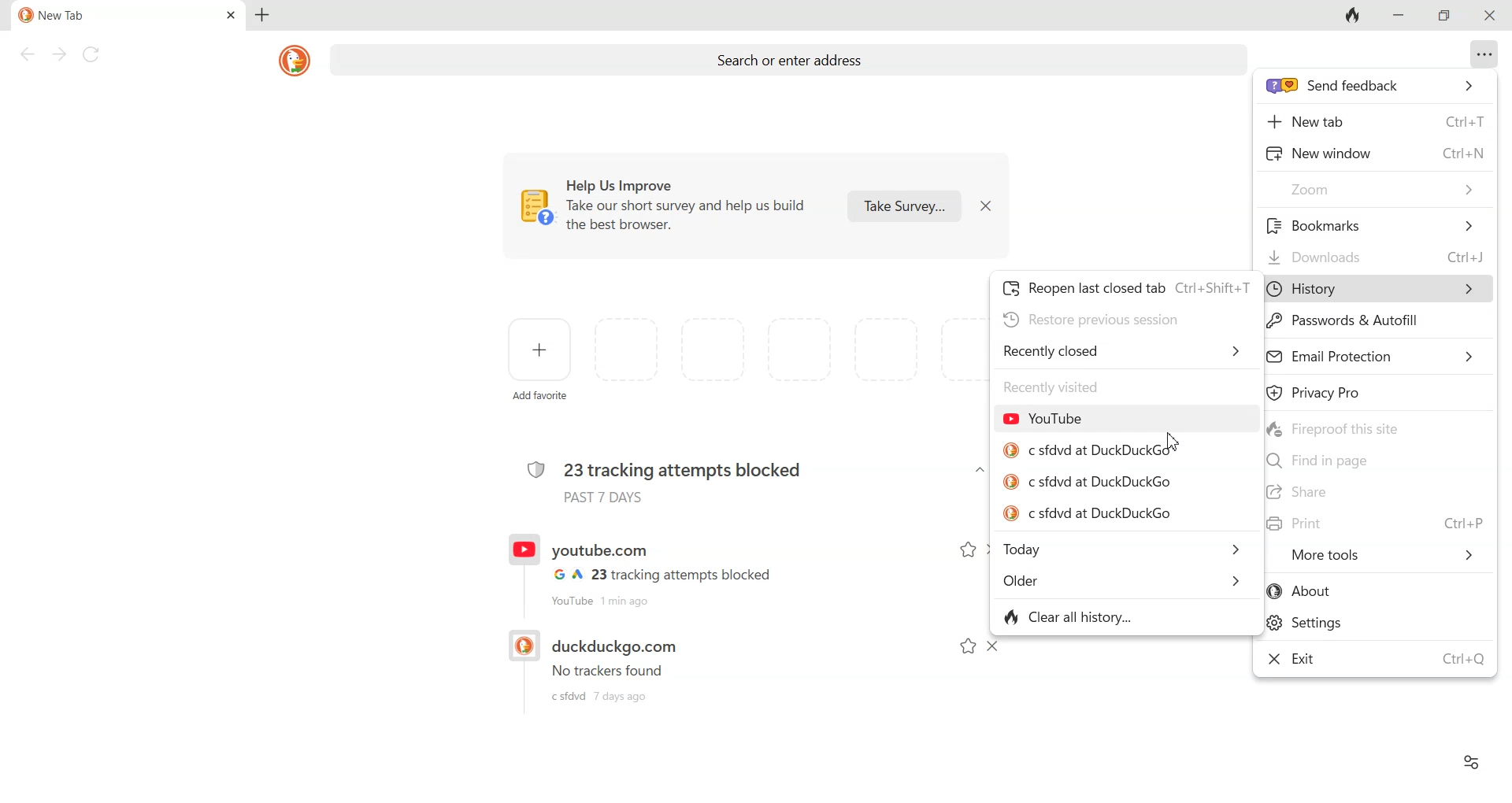  I want to click on Minimize, so click(1396, 16).